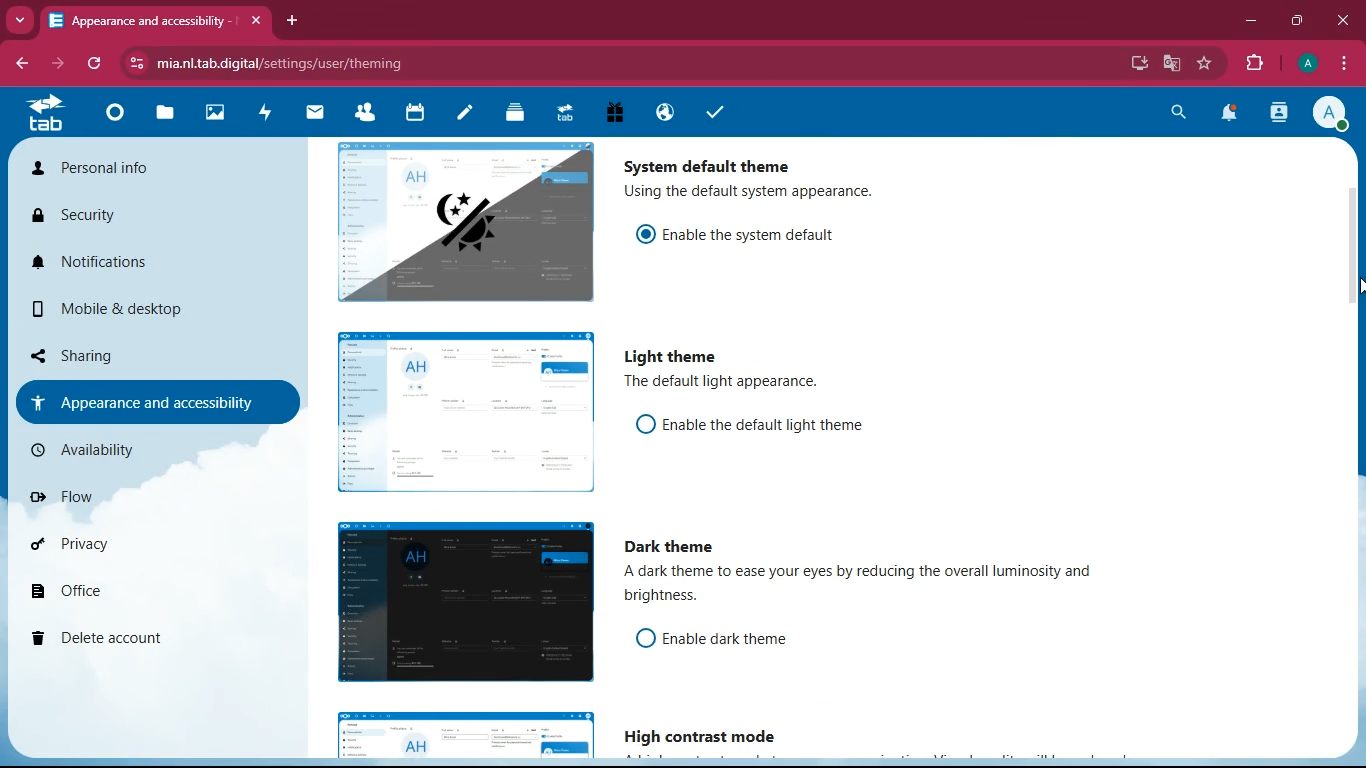 This screenshot has width=1366, height=768. I want to click on description, so click(725, 383).